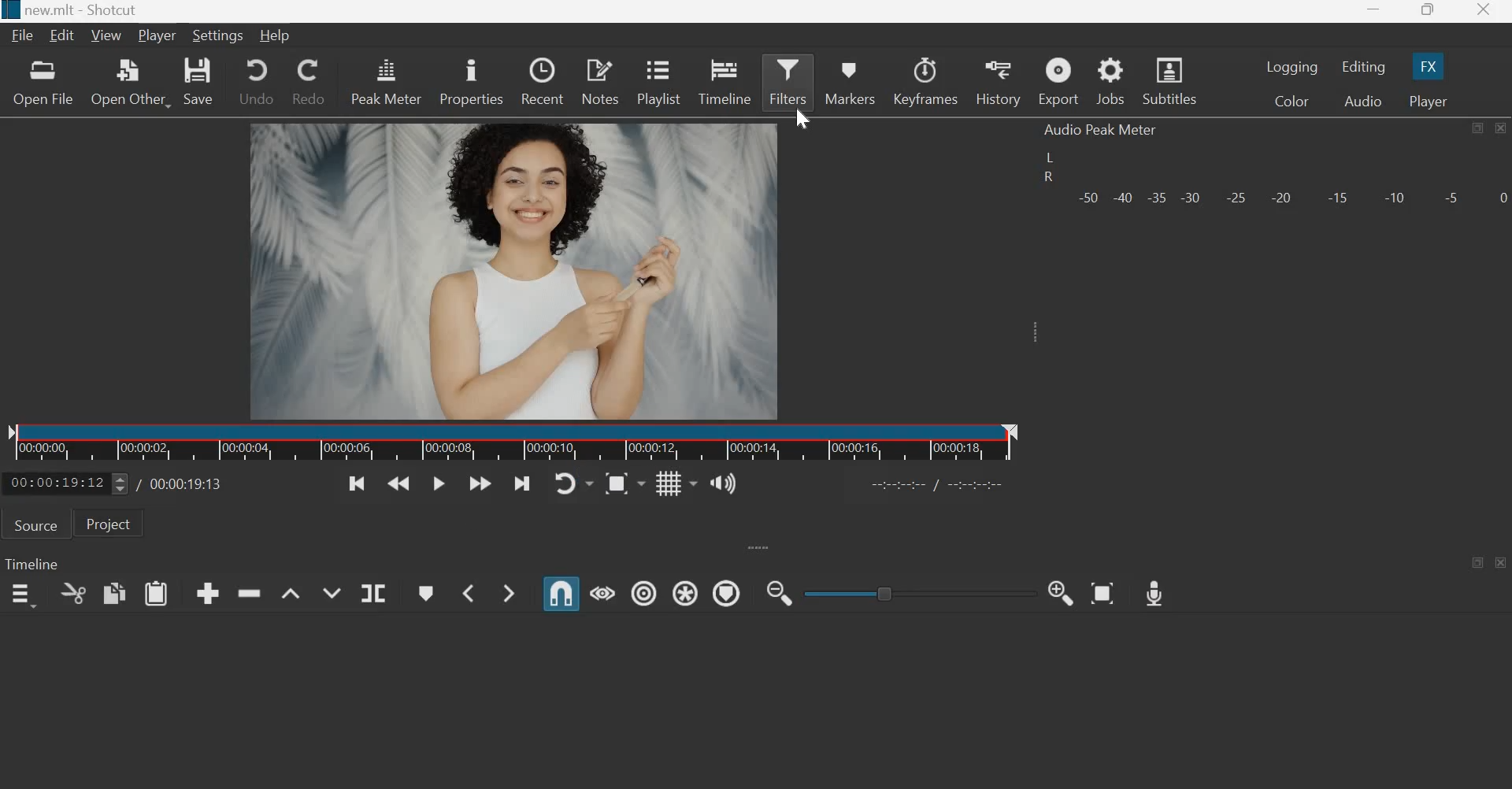 The width and height of the screenshot is (1512, 789). Describe the element at coordinates (1477, 128) in the screenshot. I see `maximize` at that location.